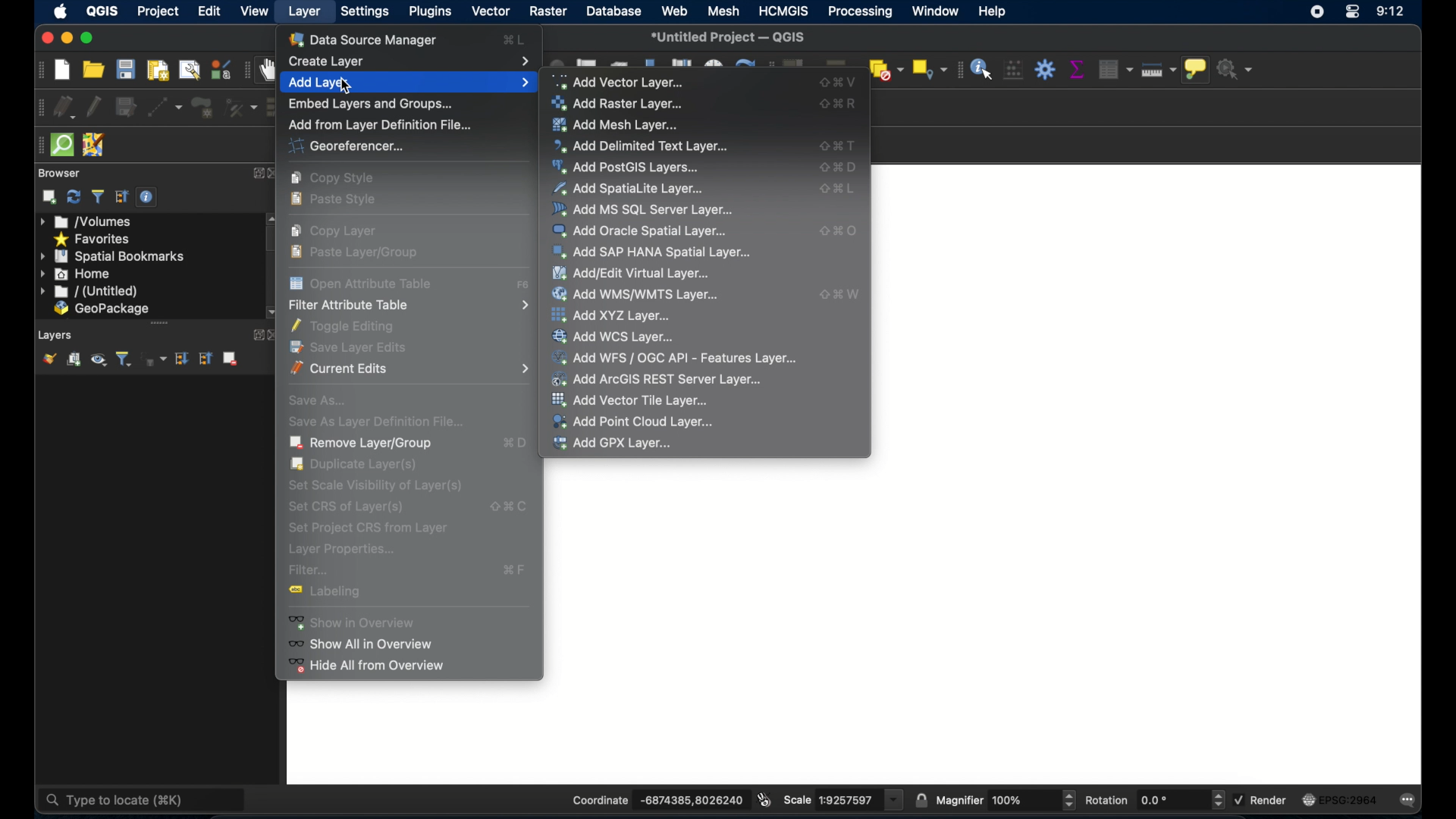  What do you see at coordinates (1199, 70) in the screenshot?
I see `show map tops` at bounding box center [1199, 70].